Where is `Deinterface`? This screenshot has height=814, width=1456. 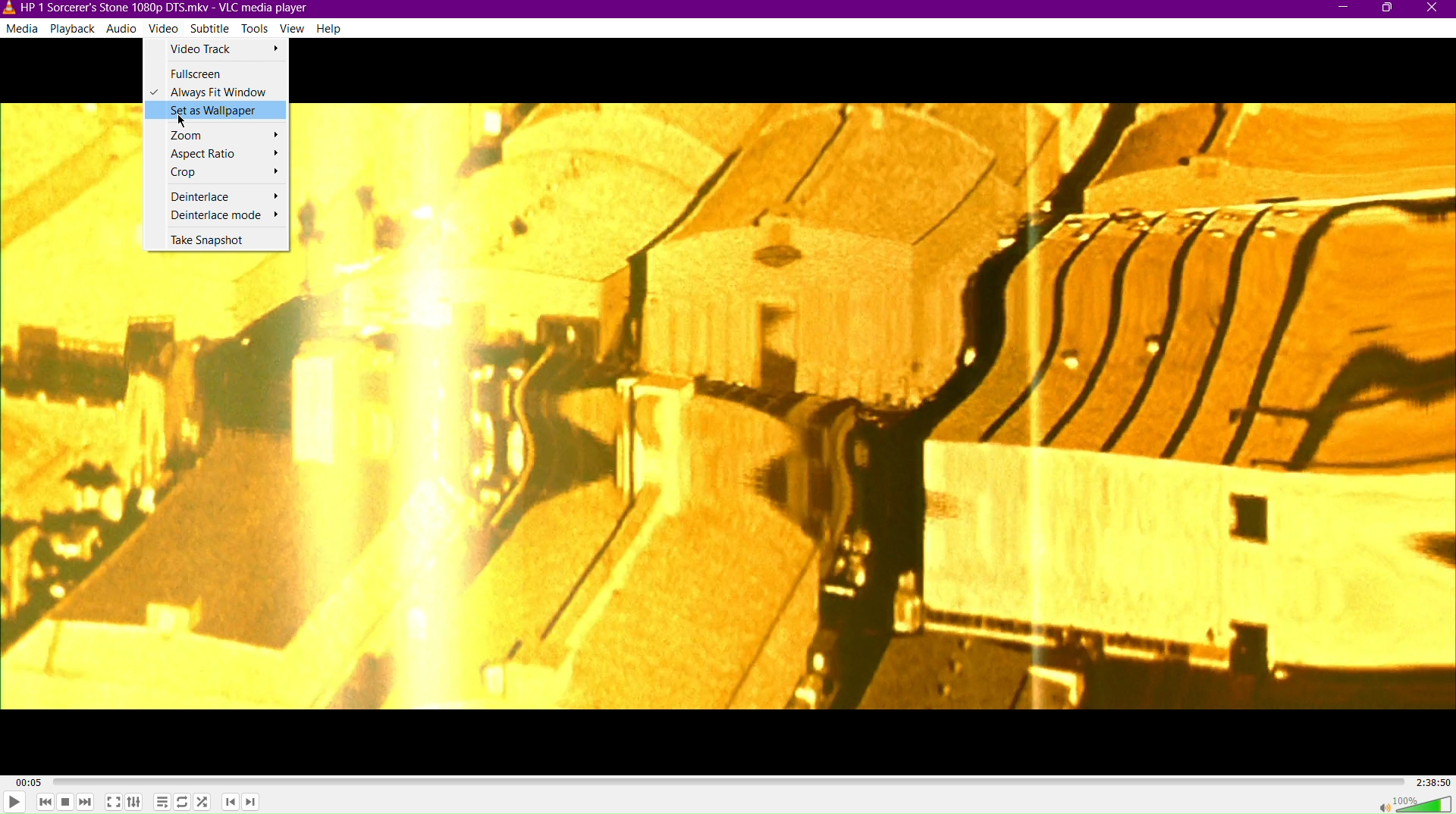
Deinterface is located at coordinates (215, 196).